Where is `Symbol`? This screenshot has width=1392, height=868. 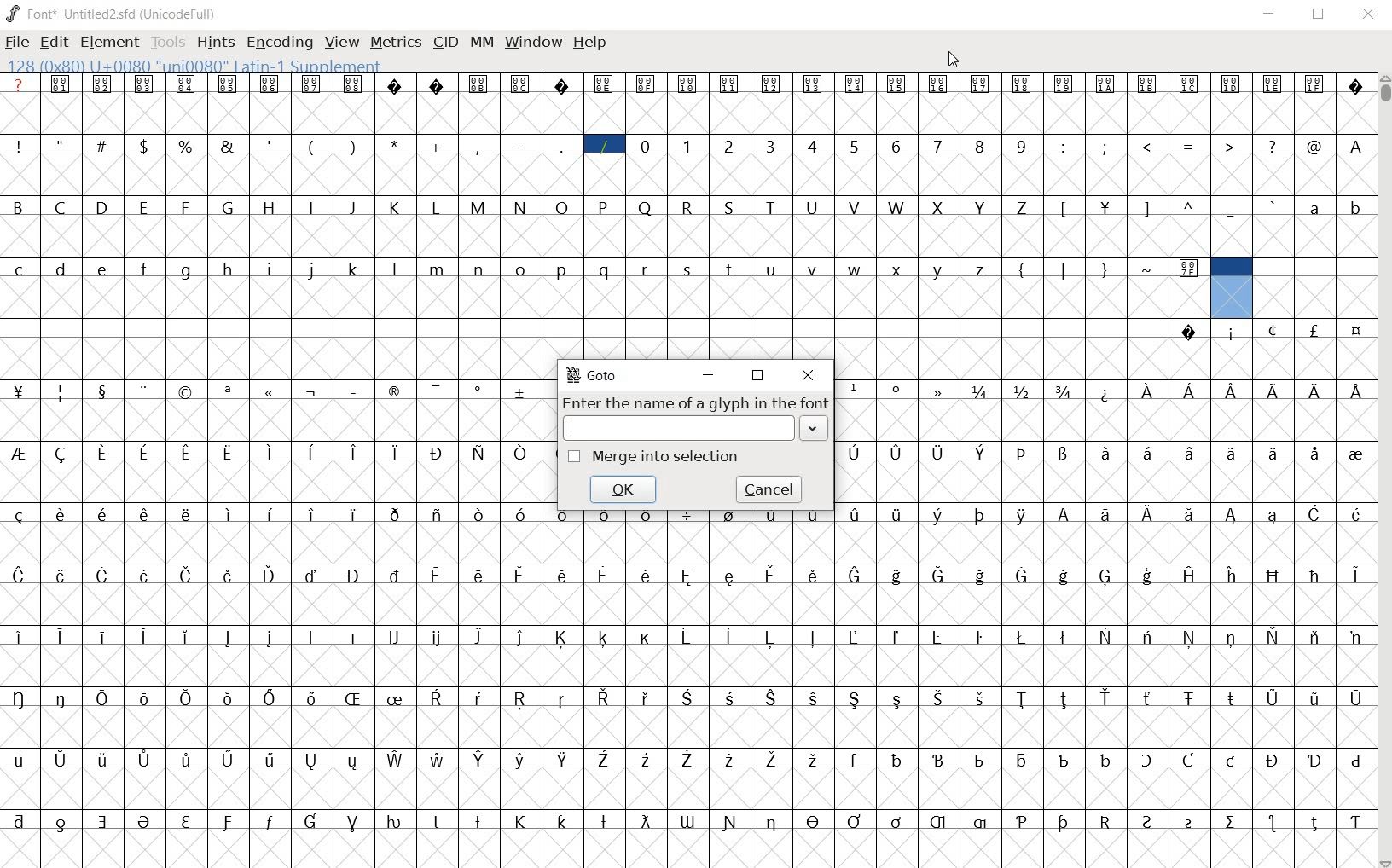 Symbol is located at coordinates (1354, 512).